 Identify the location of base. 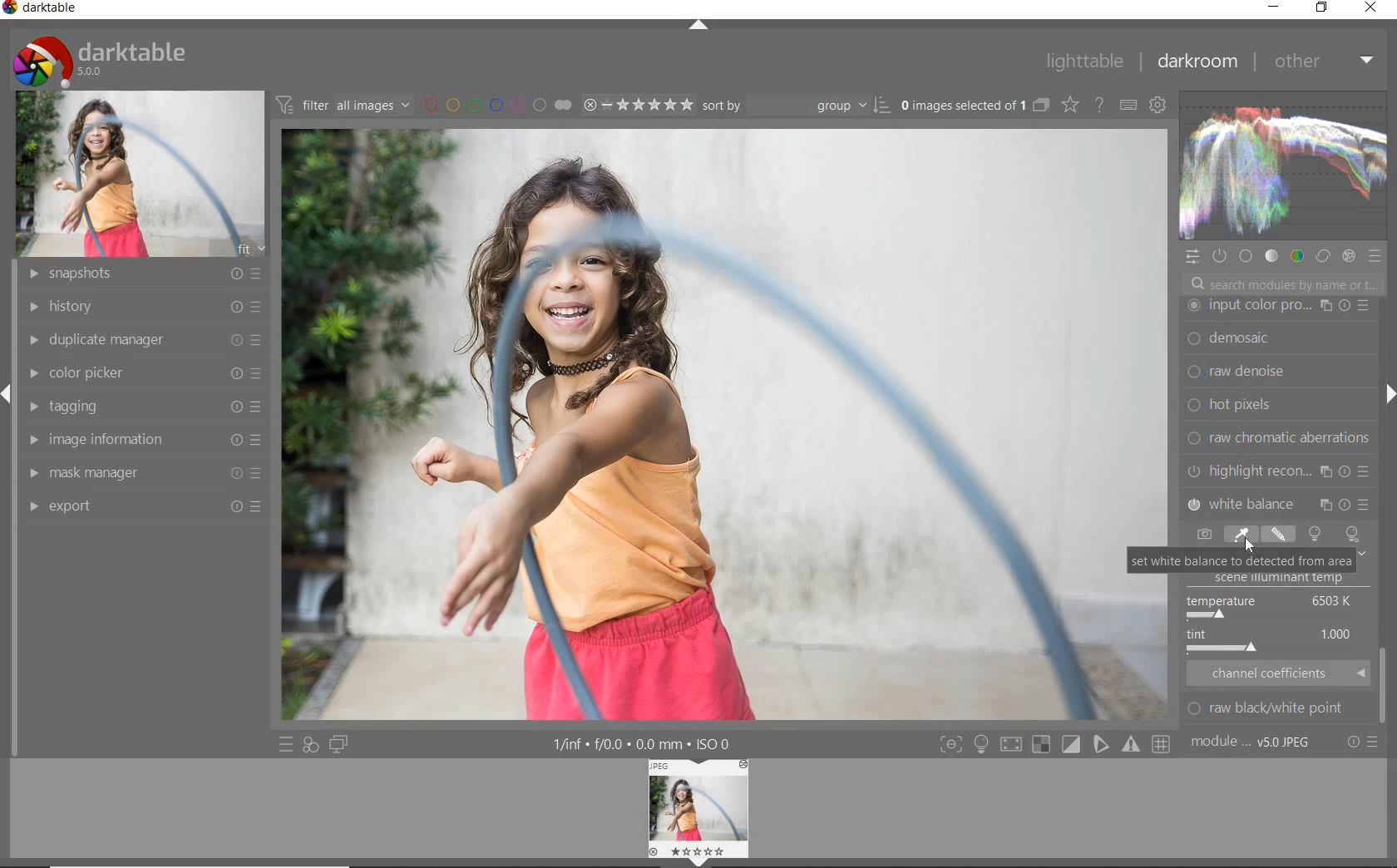
(1247, 258).